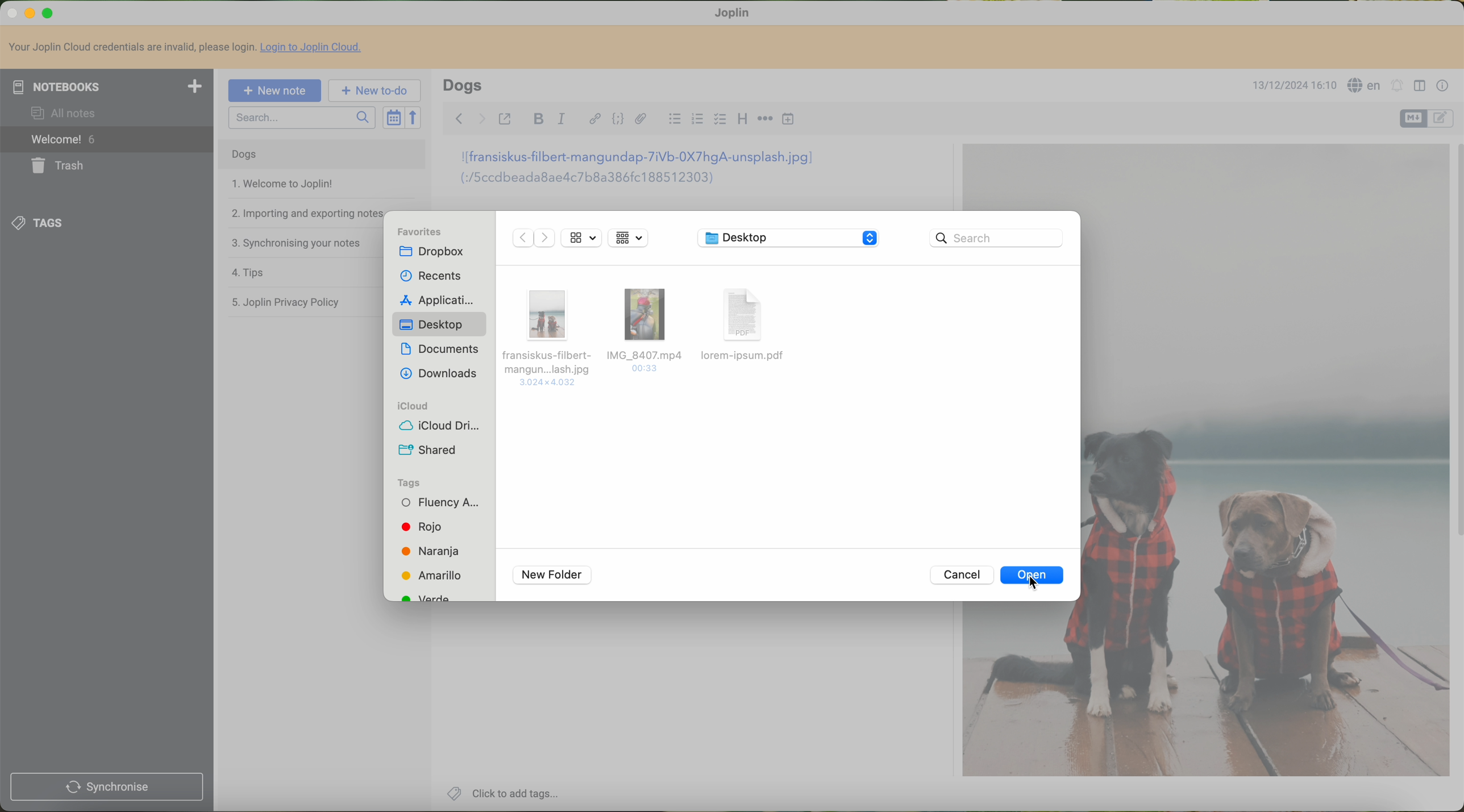 This screenshot has width=1464, height=812. Describe the element at coordinates (552, 576) in the screenshot. I see `new folder` at that location.